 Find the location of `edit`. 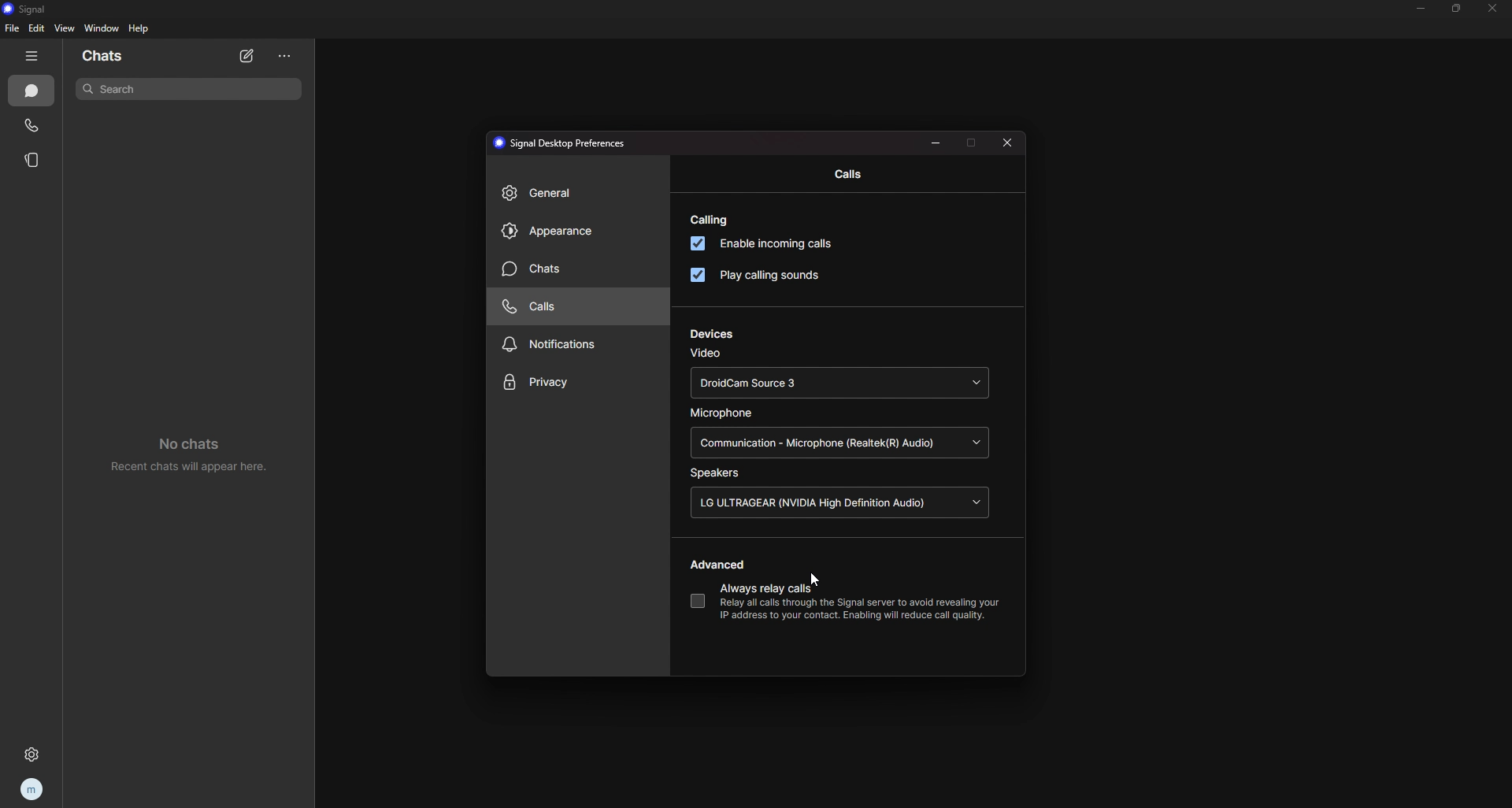

edit is located at coordinates (38, 28).